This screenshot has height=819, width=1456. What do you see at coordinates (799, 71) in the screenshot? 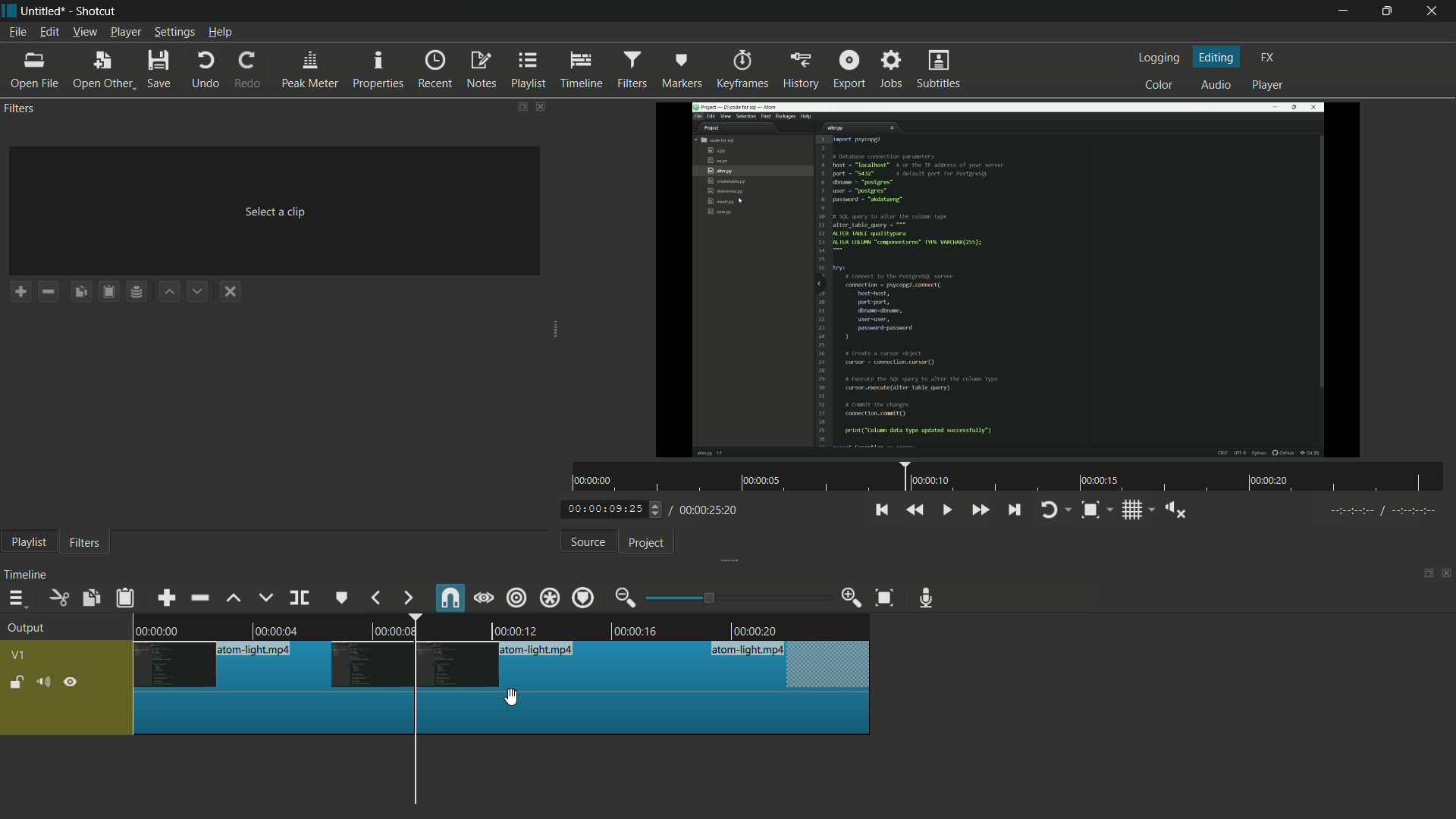
I see `history` at bounding box center [799, 71].